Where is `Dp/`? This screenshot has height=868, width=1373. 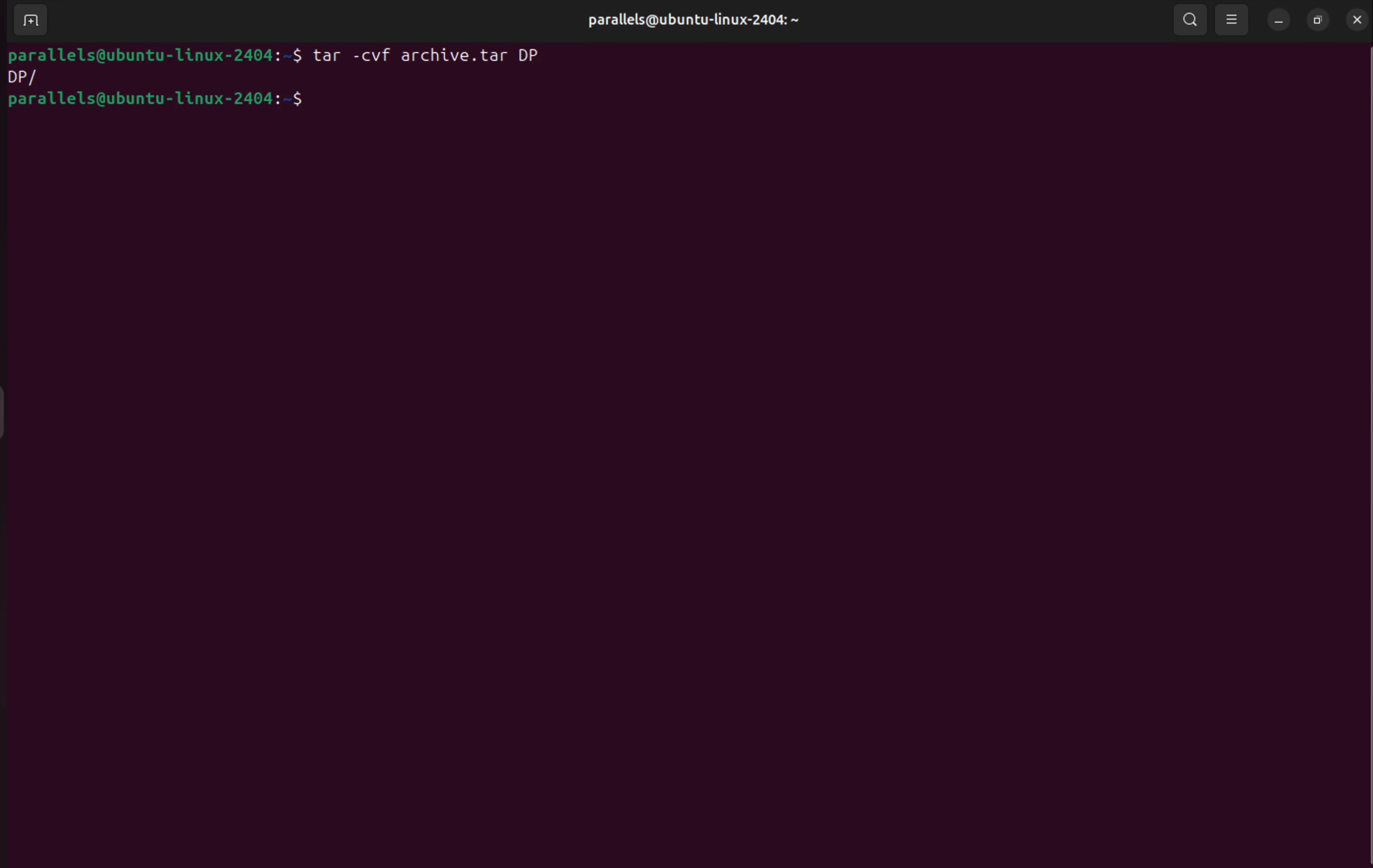
Dp/ is located at coordinates (31, 78).